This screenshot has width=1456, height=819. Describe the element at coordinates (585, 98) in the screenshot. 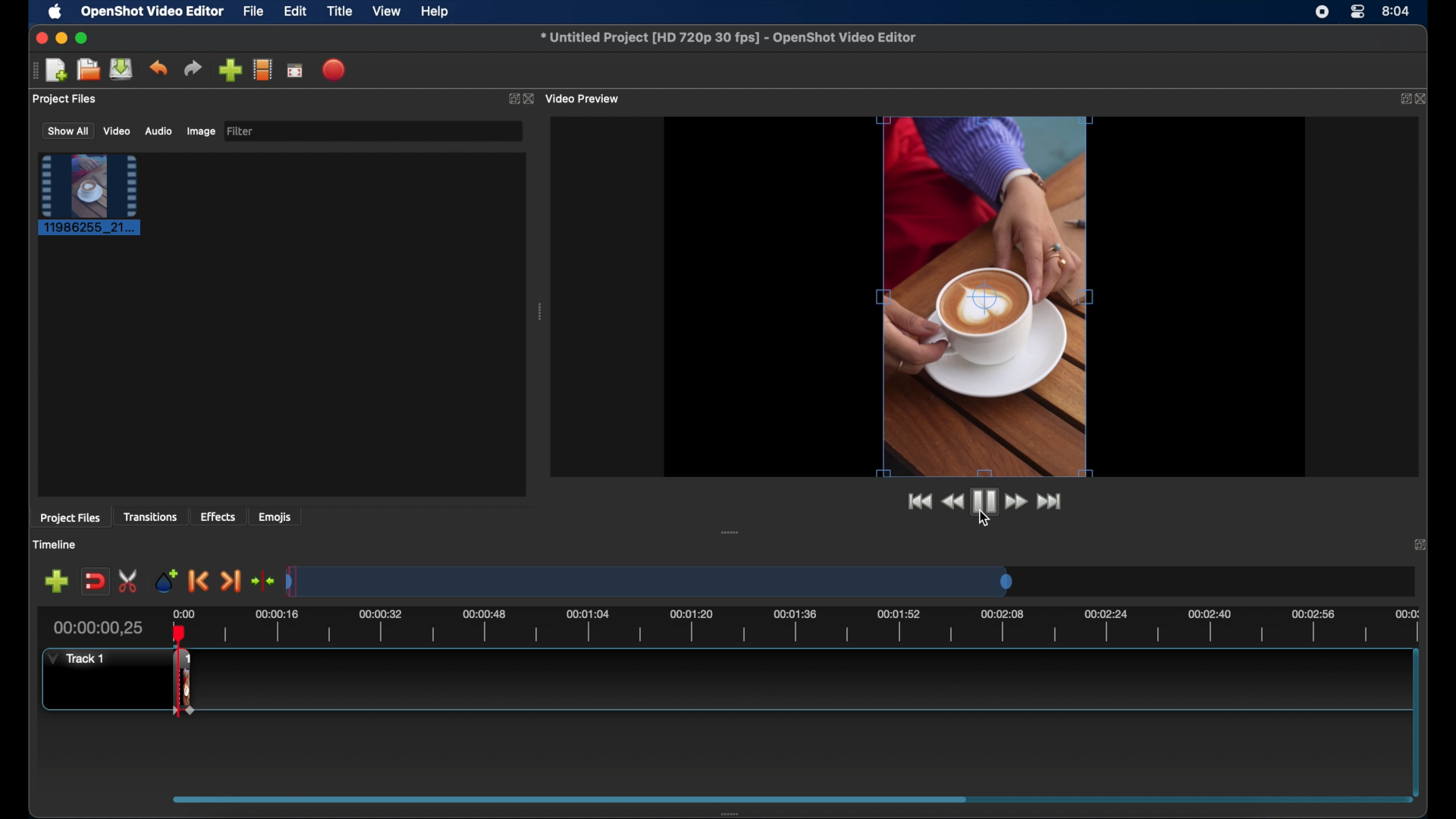

I see `video preview` at that location.